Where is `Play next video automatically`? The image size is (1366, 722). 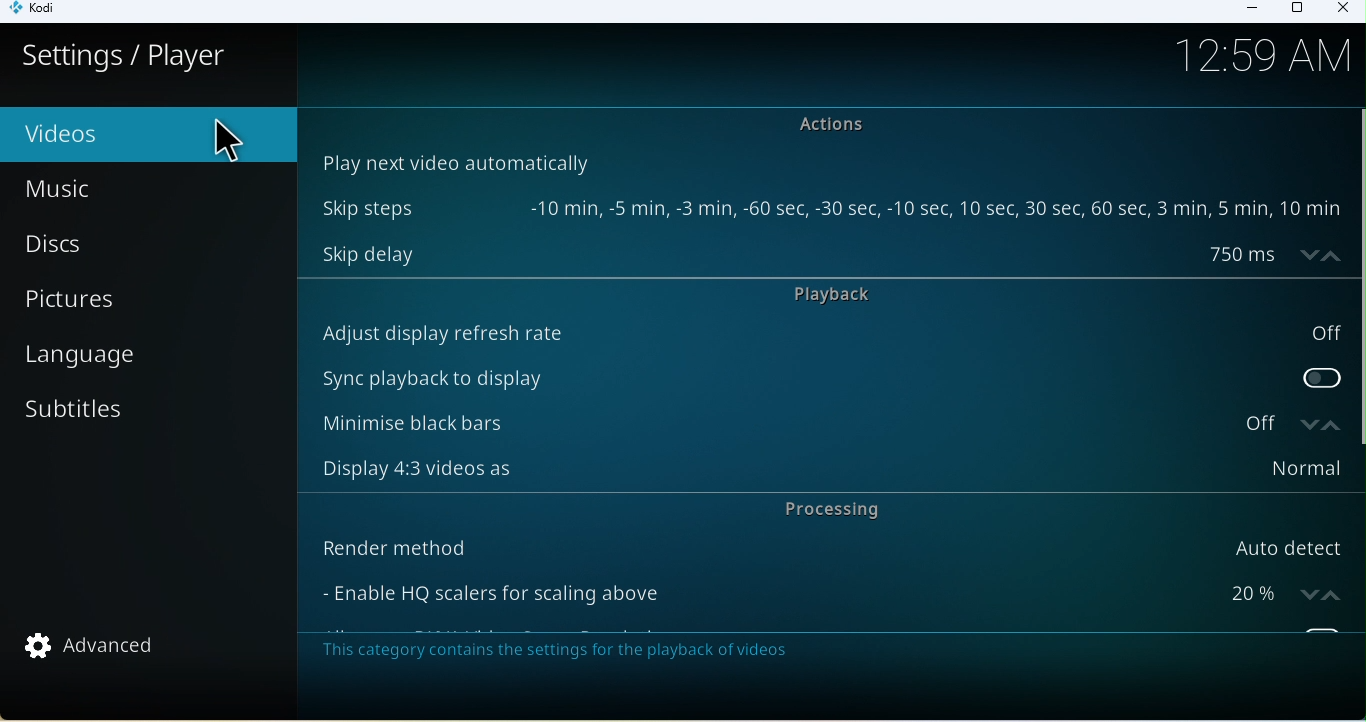 Play next video automatically is located at coordinates (453, 161).